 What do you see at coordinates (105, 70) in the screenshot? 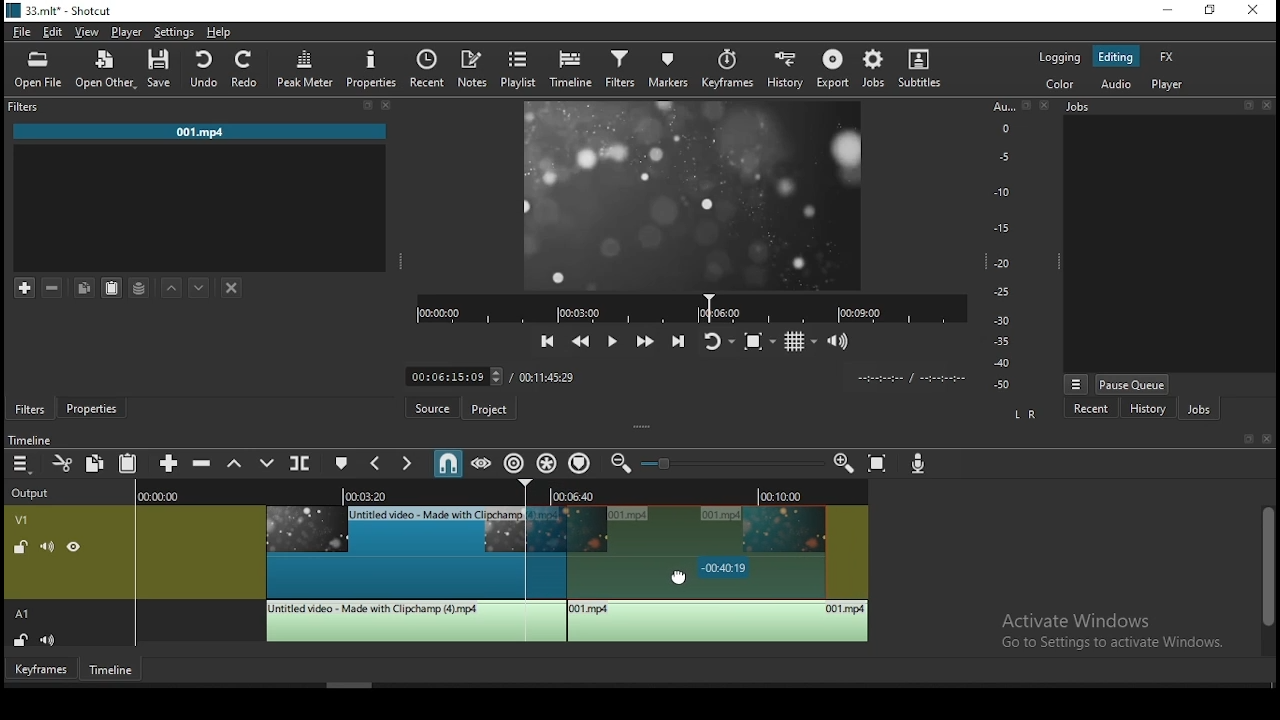
I see `open other` at bounding box center [105, 70].